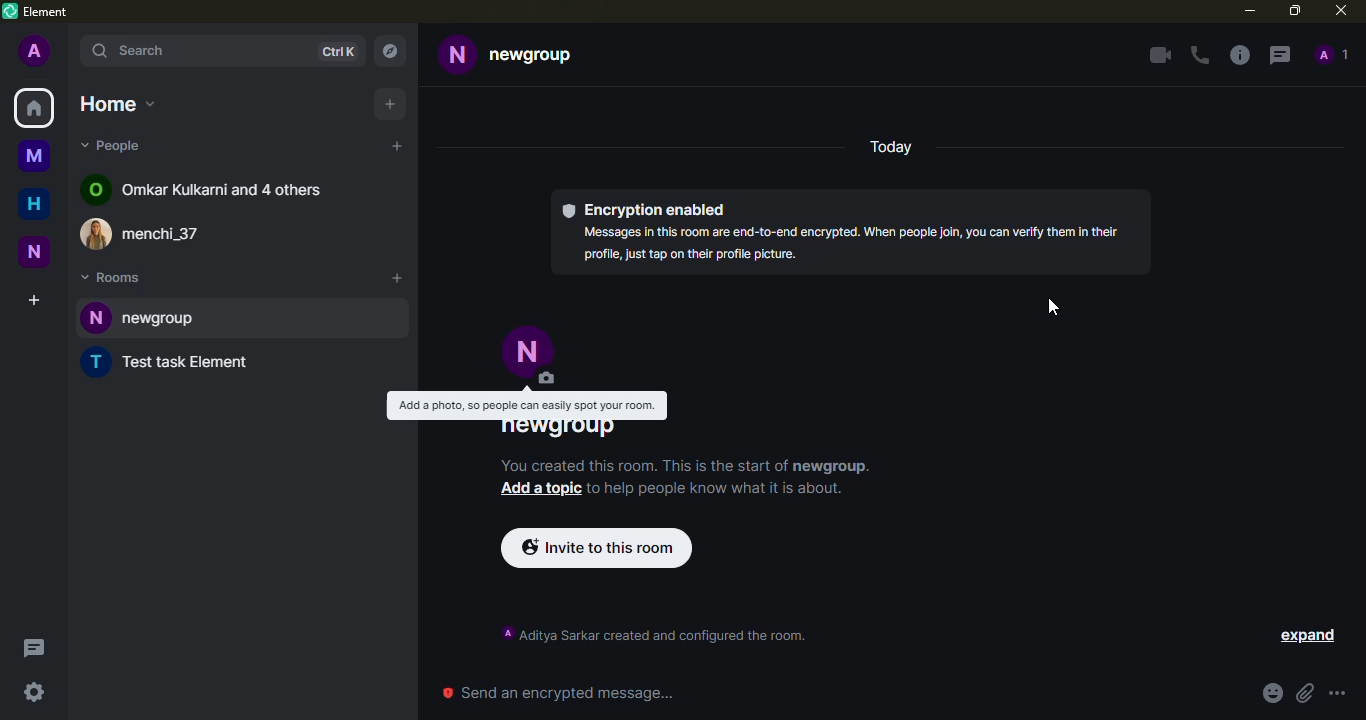 This screenshot has height=720, width=1366. I want to click on invite to this room, so click(597, 548).